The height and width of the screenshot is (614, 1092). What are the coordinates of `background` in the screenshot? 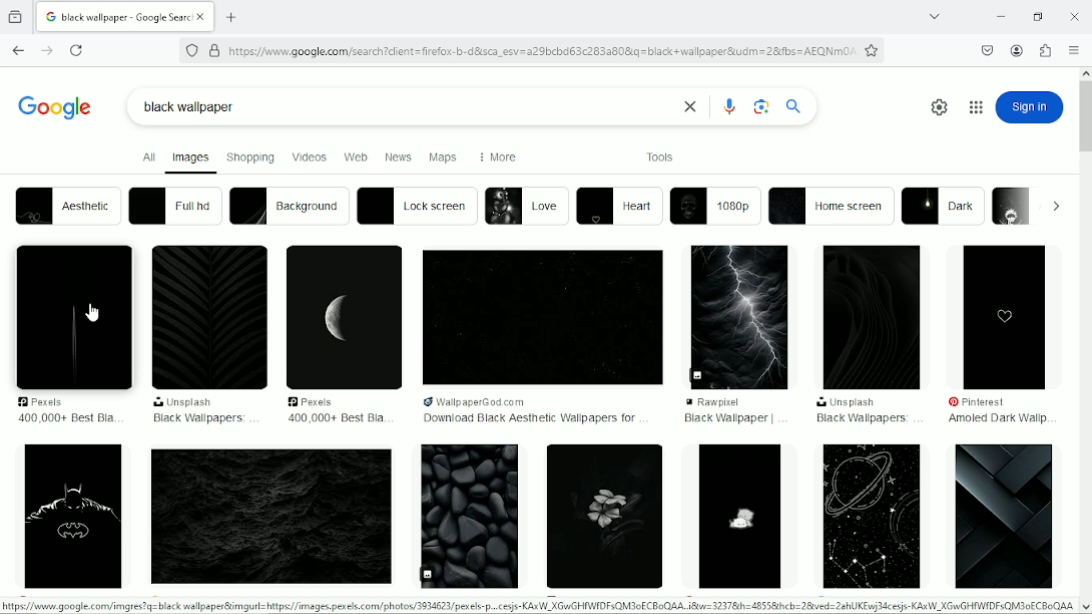 It's located at (288, 206).